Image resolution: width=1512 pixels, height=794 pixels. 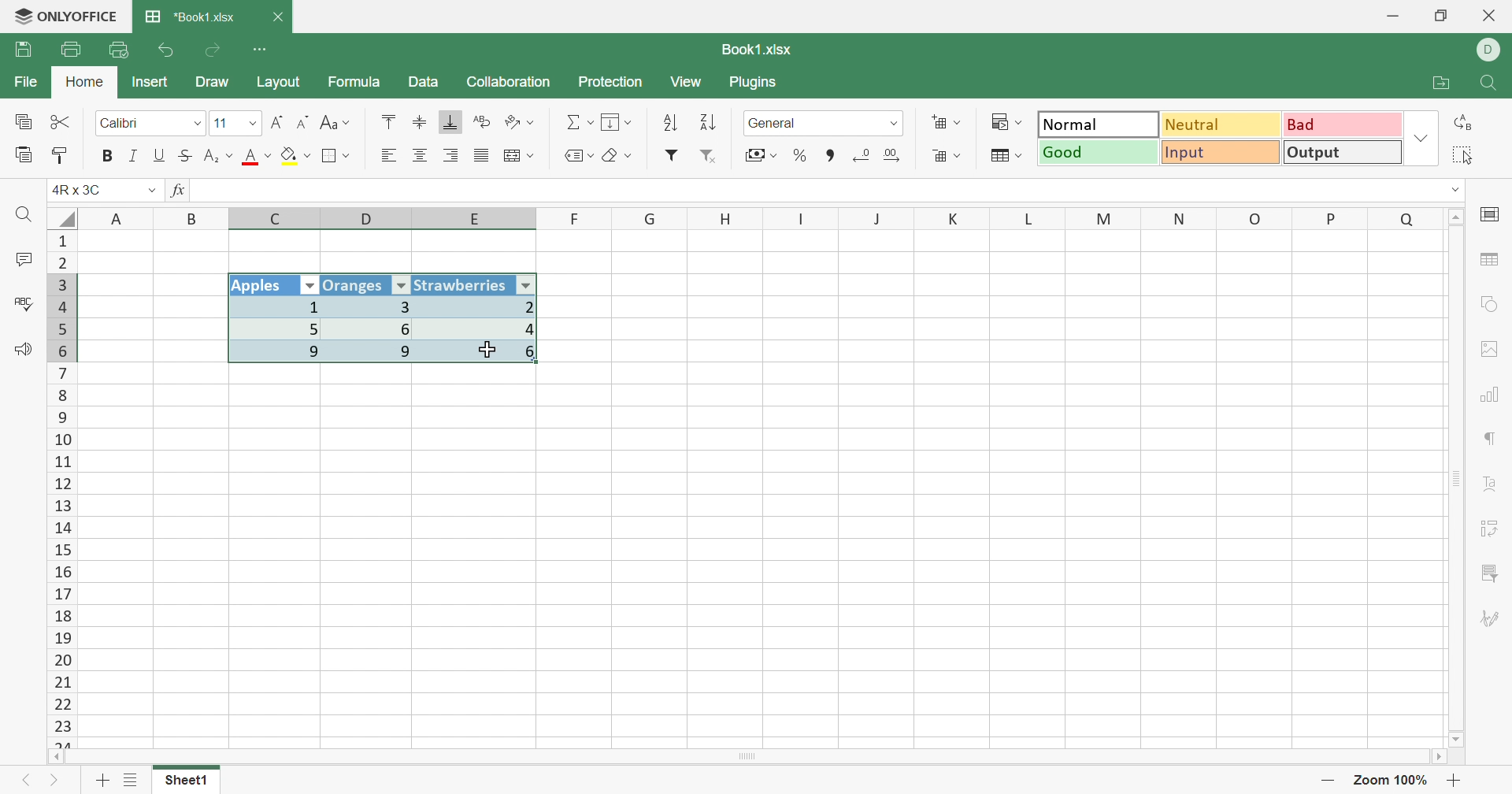 I want to click on Redo, so click(x=215, y=50).